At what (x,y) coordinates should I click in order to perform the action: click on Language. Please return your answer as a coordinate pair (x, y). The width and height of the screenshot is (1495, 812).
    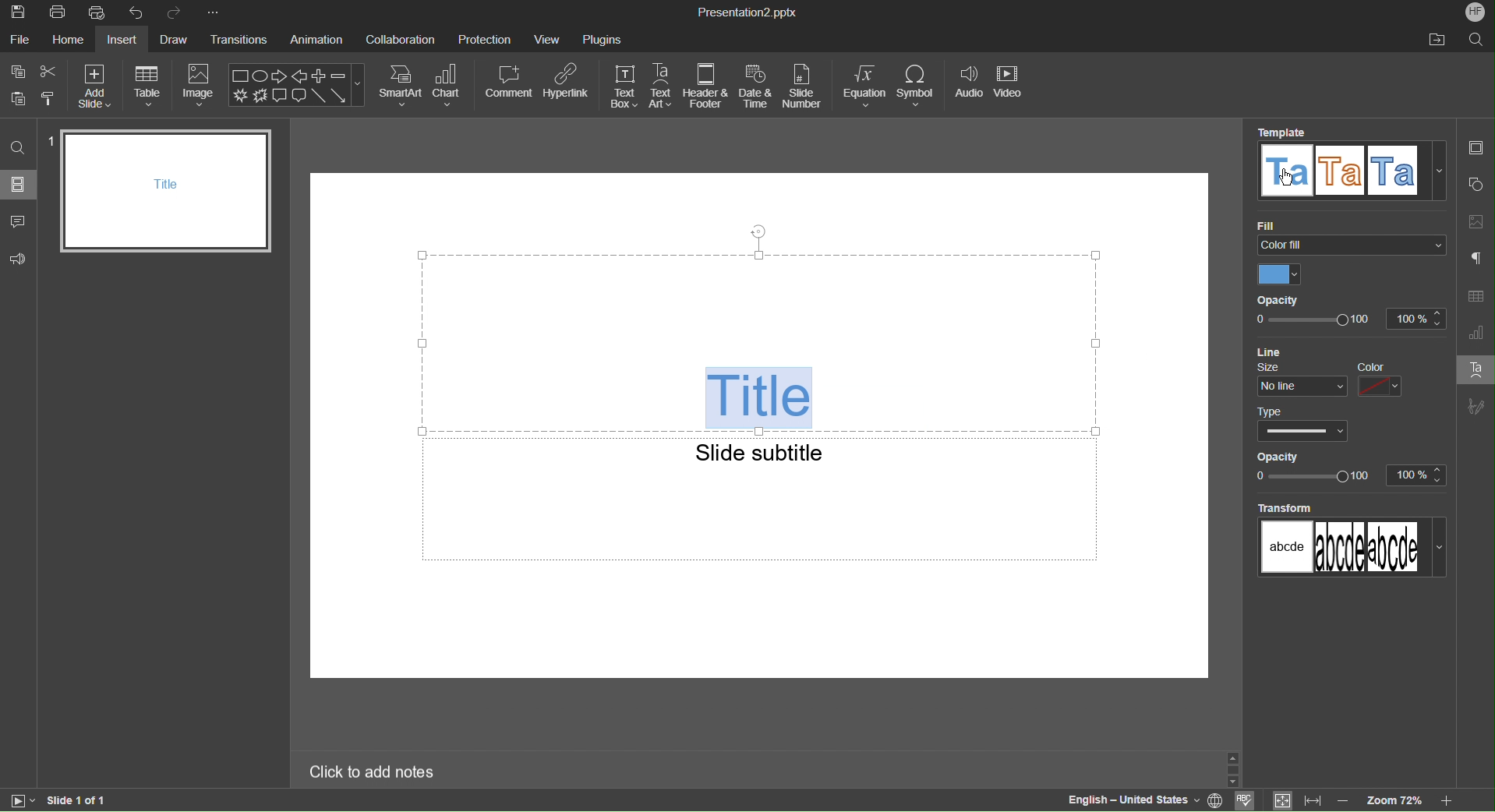
    Looking at the image, I should click on (1129, 800).